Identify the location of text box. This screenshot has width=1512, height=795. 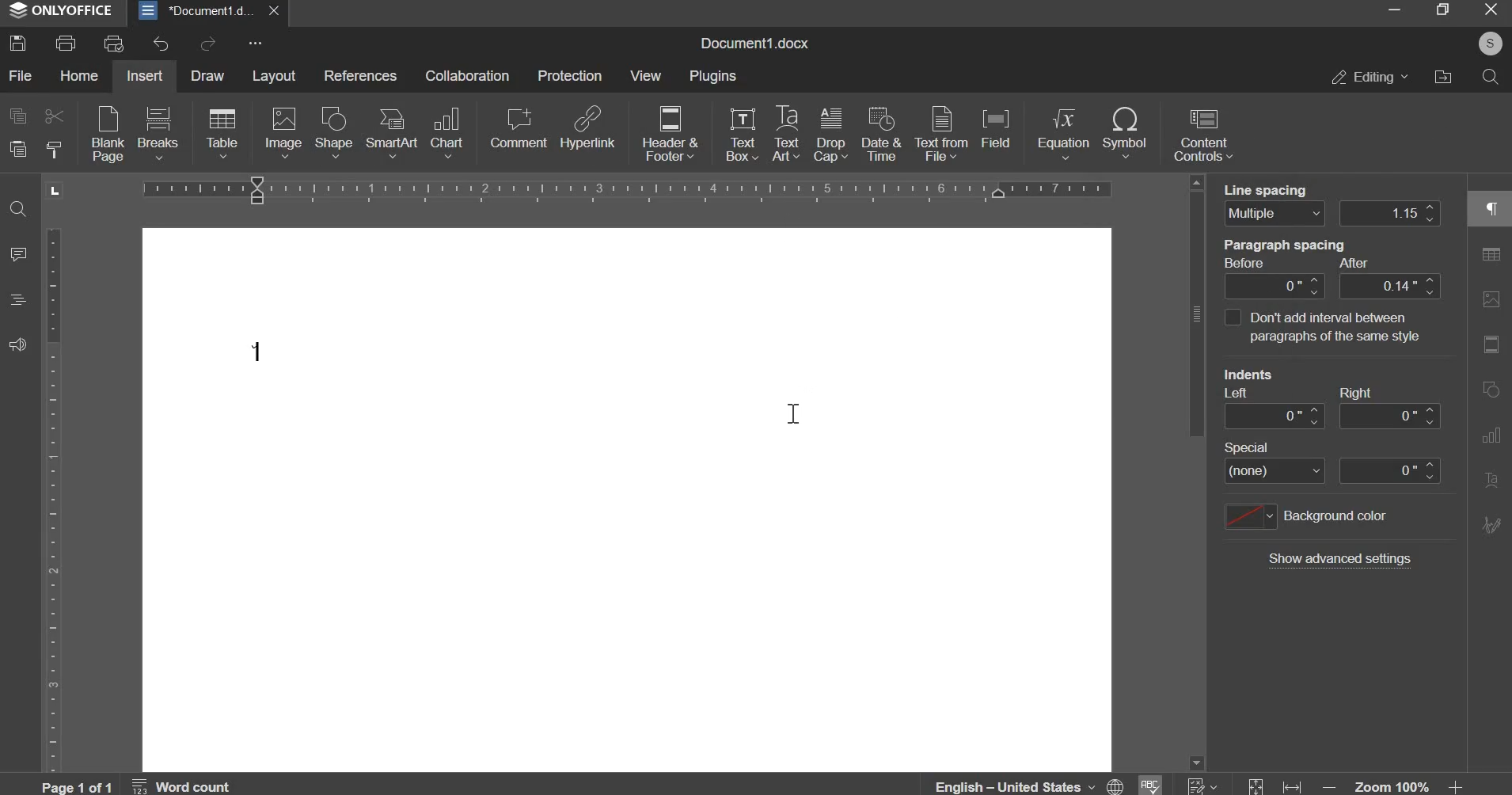
(742, 134).